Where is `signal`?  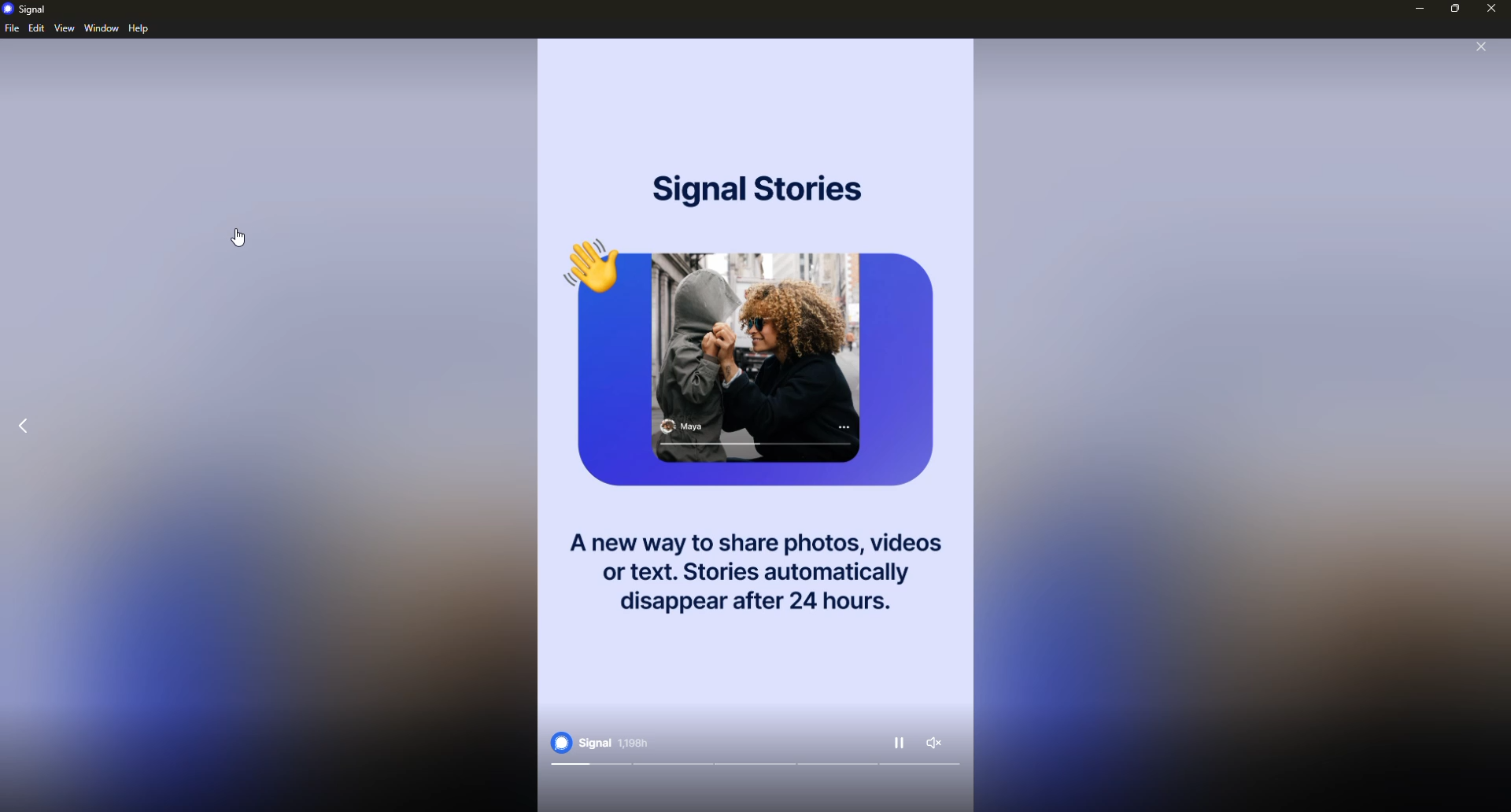 signal is located at coordinates (27, 9).